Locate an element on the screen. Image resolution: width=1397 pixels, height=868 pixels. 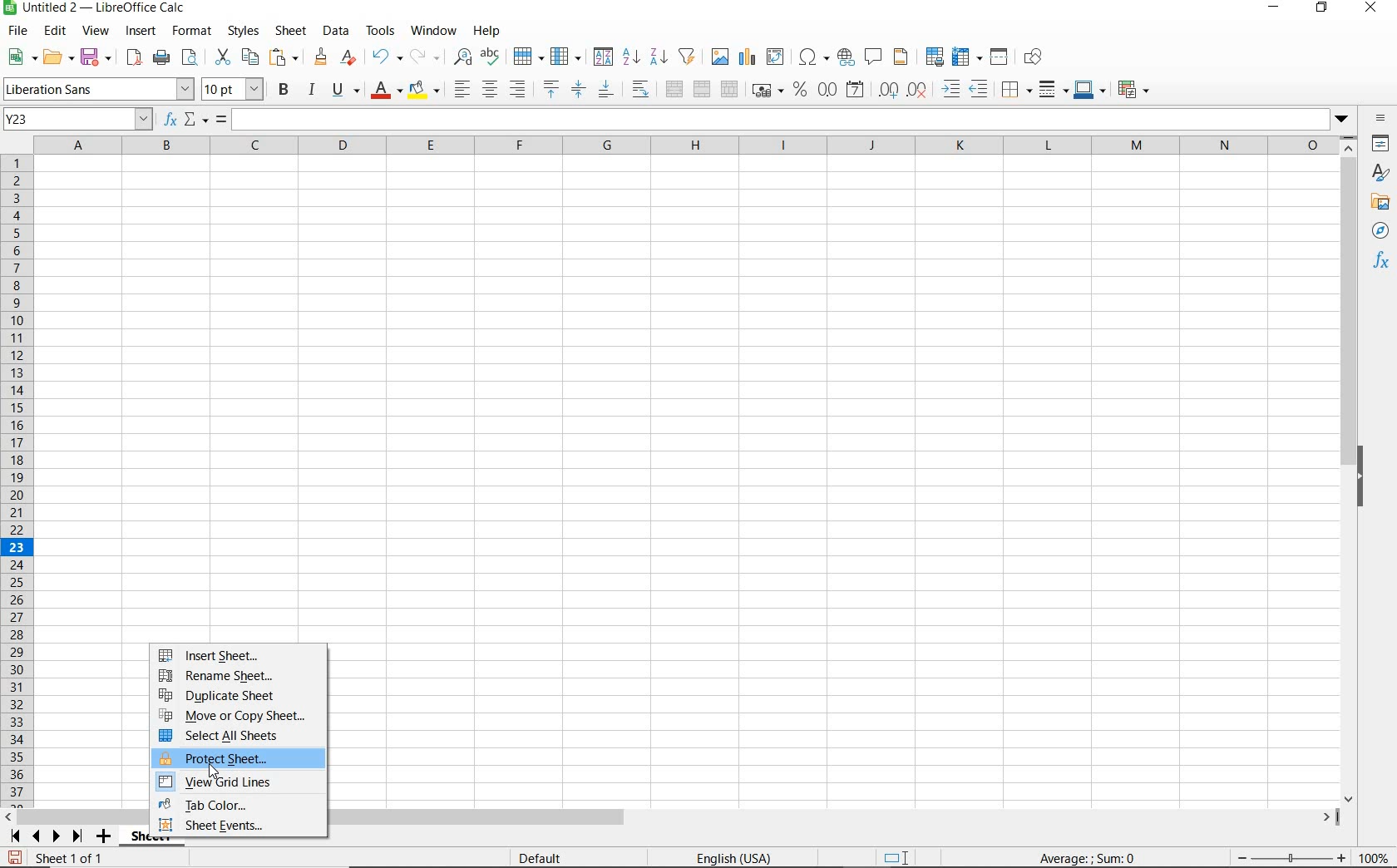
TAB COLOR is located at coordinates (202, 806).